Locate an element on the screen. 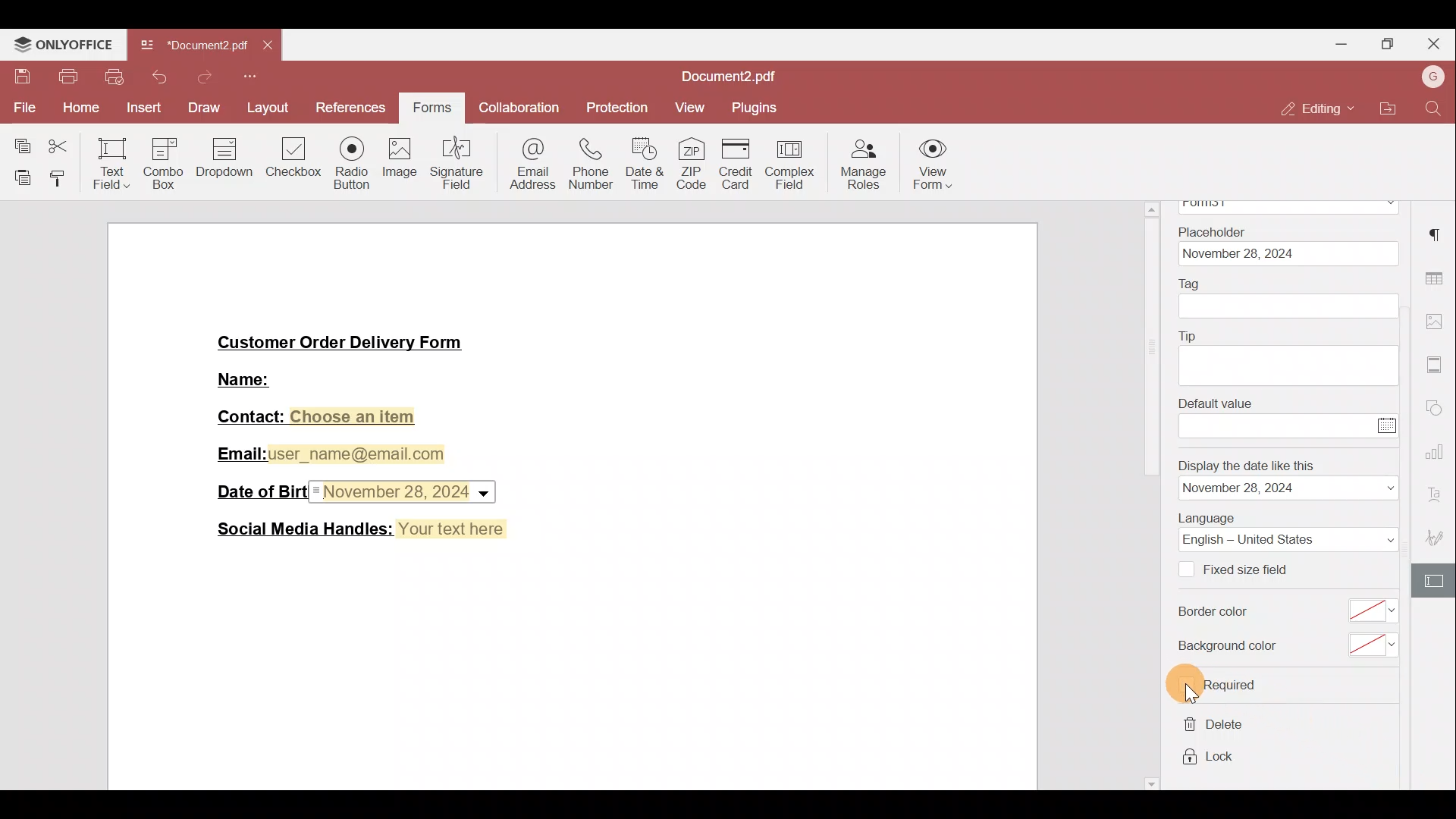  select background color is located at coordinates (1374, 643).